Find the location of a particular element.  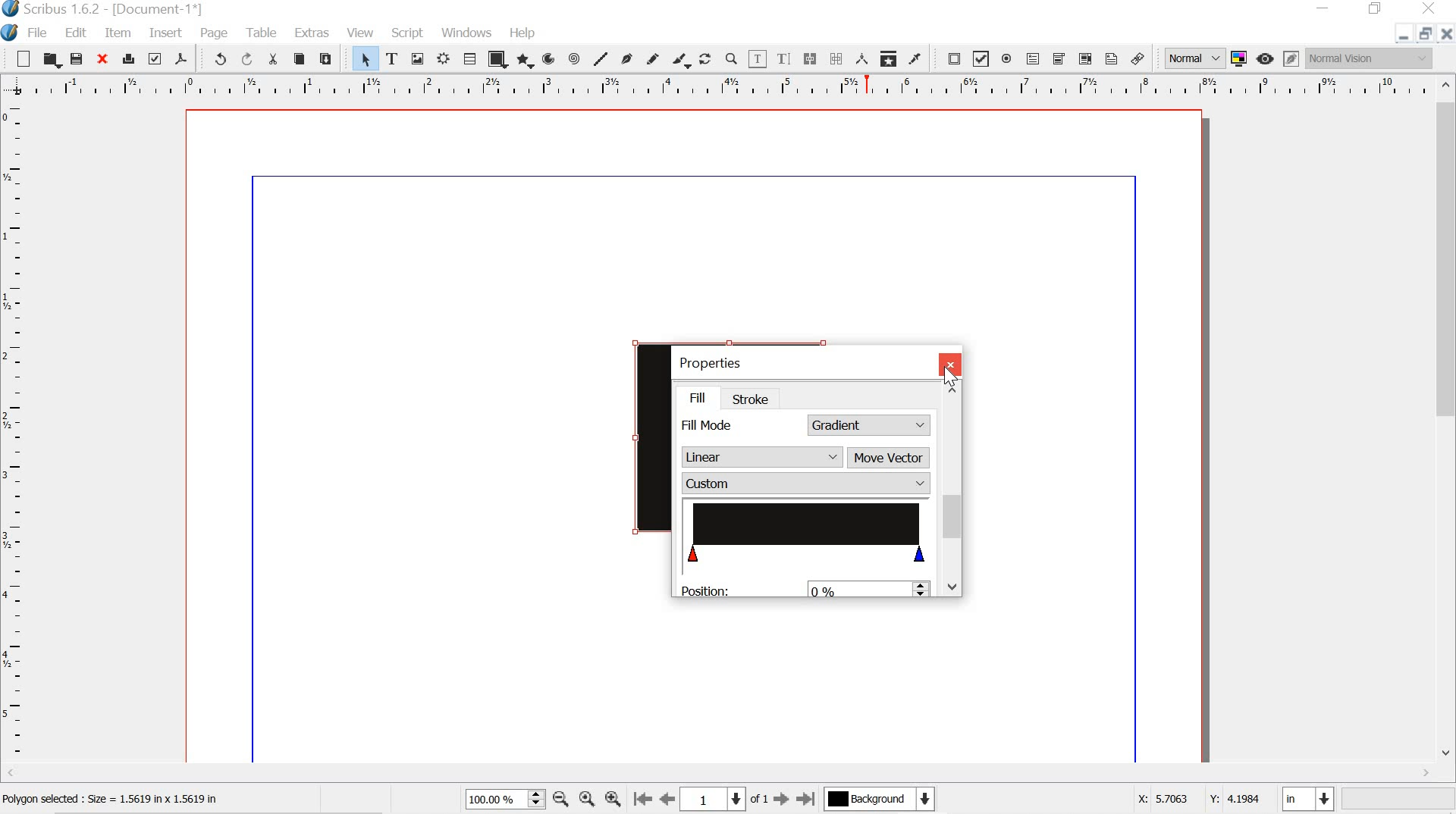

copy is located at coordinates (299, 58).